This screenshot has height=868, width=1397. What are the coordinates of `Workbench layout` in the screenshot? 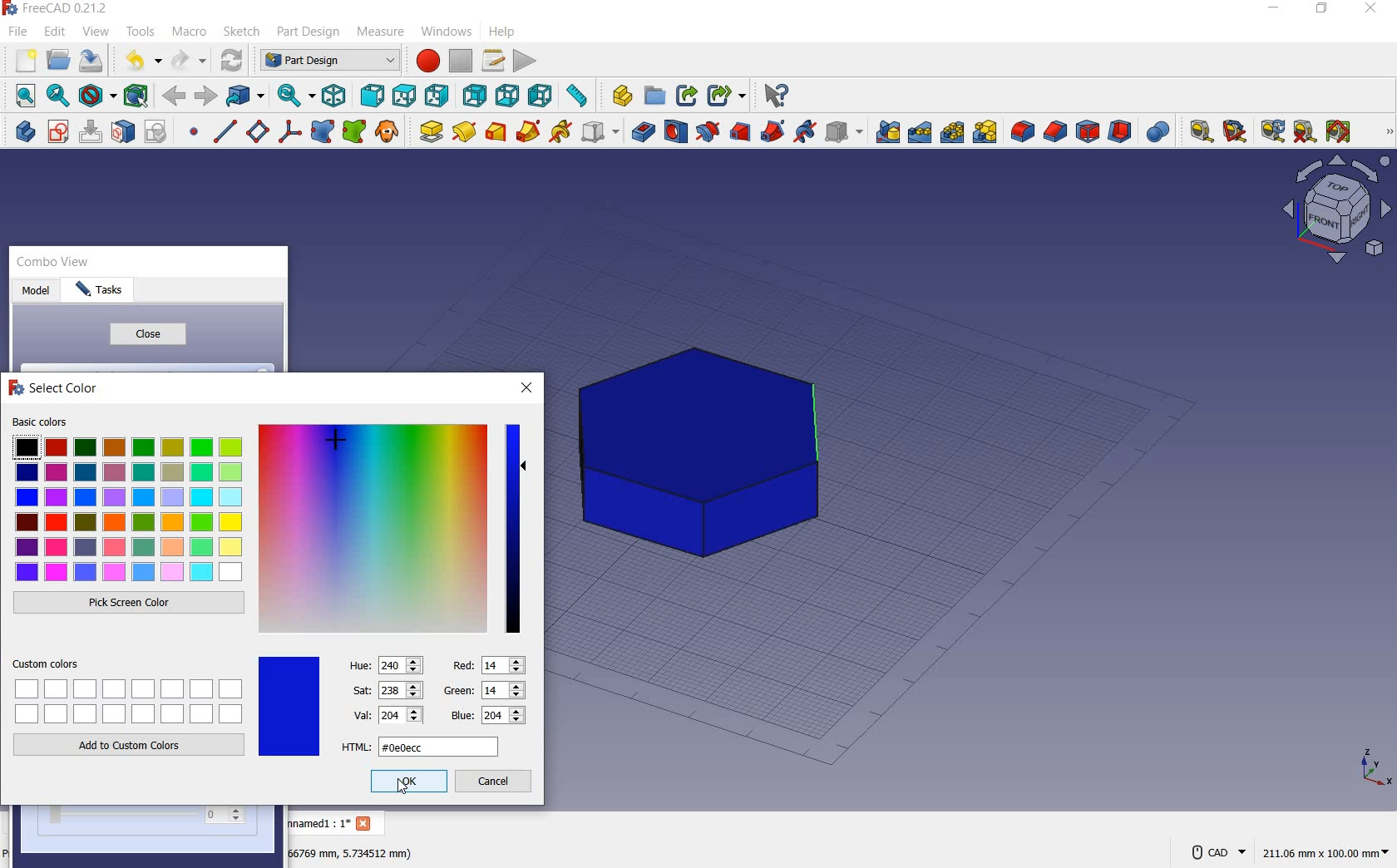 It's located at (1336, 215).